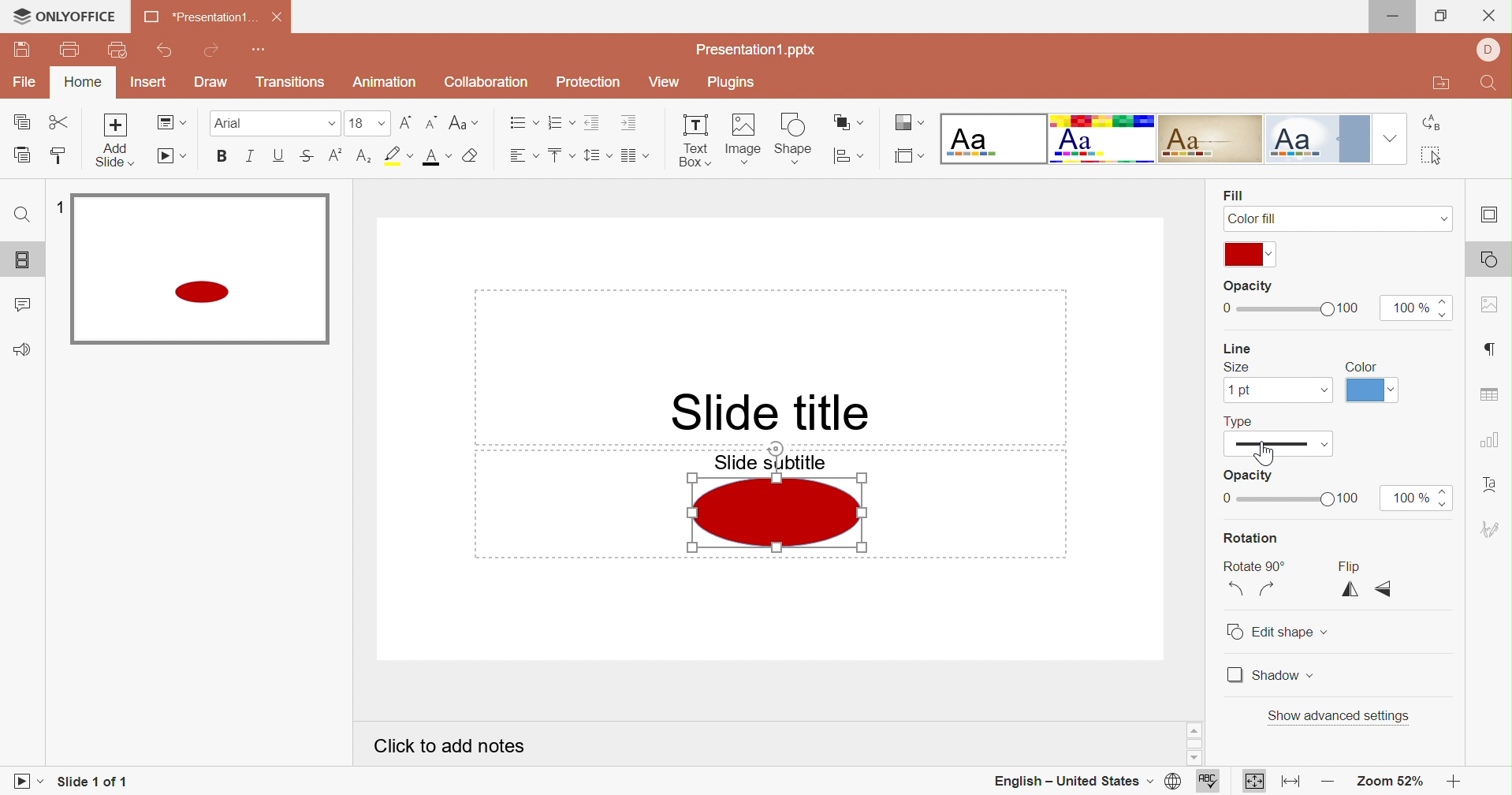  What do you see at coordinates (27, 349) in the screenshot?
I see `Feedback & Support` at bounding box center [27, 349].